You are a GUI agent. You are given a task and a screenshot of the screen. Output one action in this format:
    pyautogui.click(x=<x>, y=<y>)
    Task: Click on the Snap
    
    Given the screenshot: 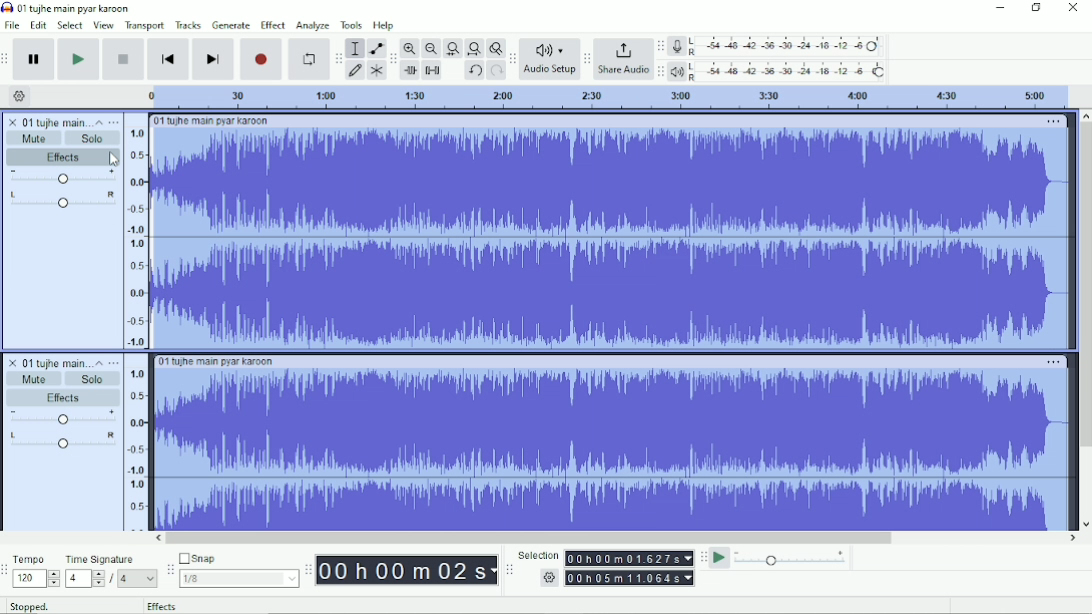 What is the action you would take?
    pyautogui.click(x=238, y=557)
    